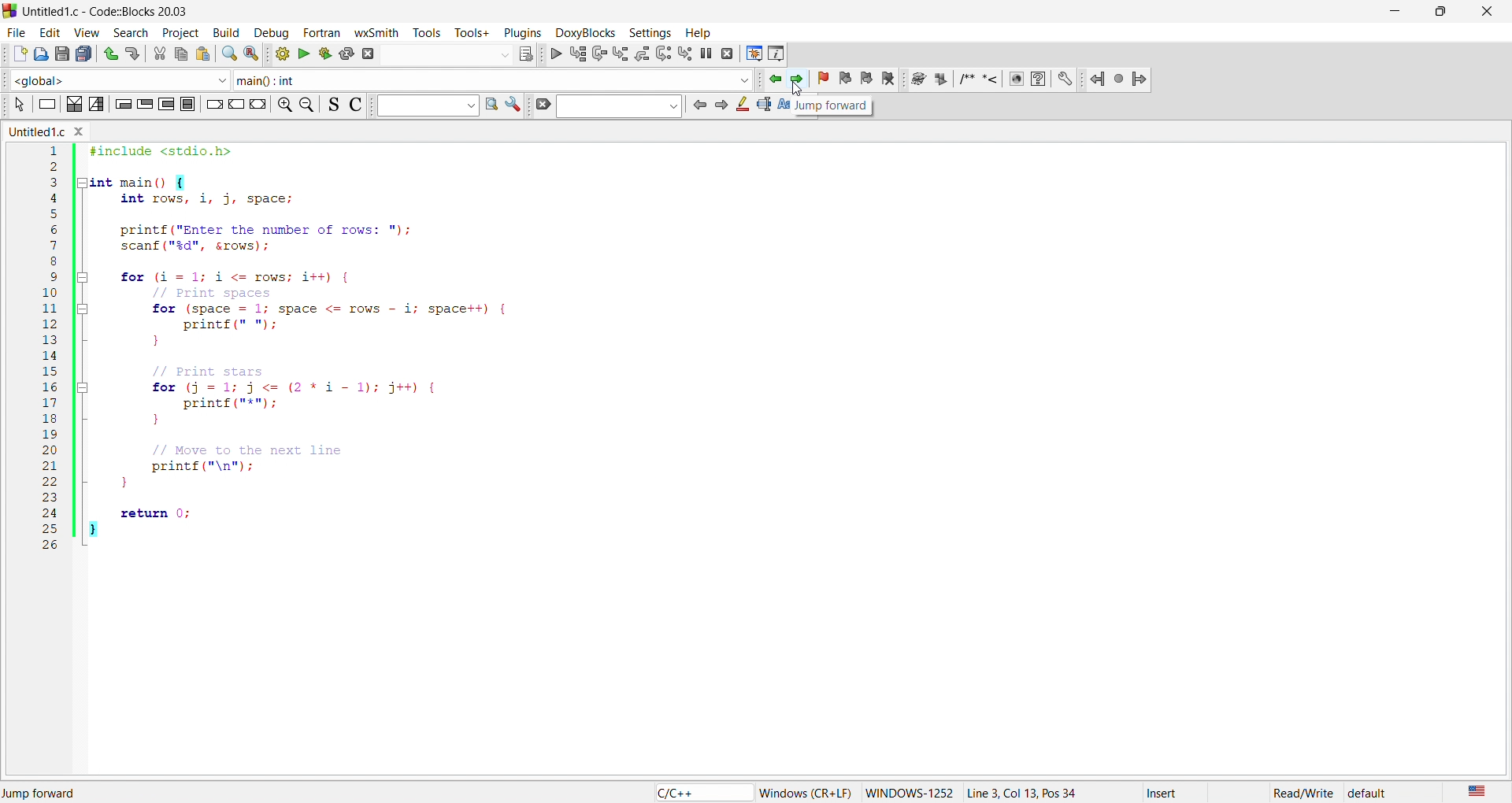  Describe the element at coordinates (225, 31) in the screenshot. I see `build` at that location.